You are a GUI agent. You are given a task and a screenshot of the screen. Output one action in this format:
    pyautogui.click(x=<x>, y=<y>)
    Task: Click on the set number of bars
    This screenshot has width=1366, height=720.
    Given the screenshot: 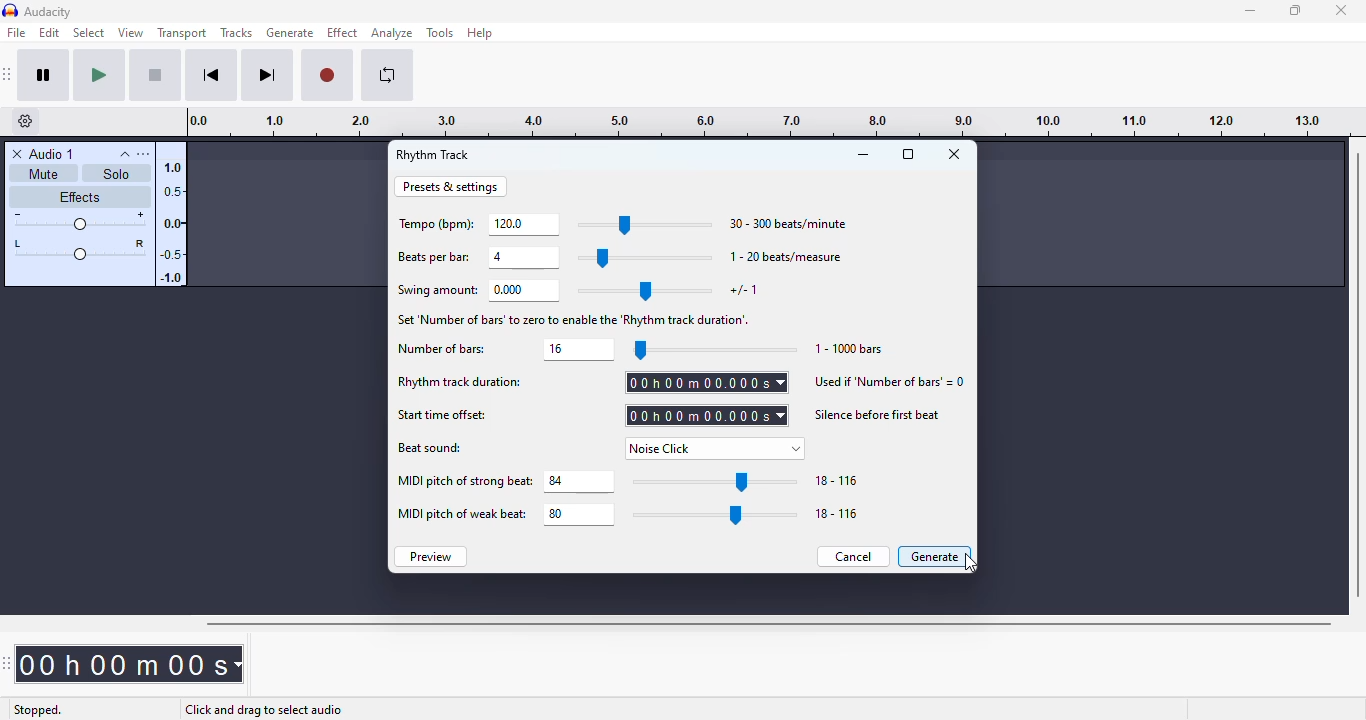 What is the action you would take?
    pyautogui.click(x=579, y=349)
    